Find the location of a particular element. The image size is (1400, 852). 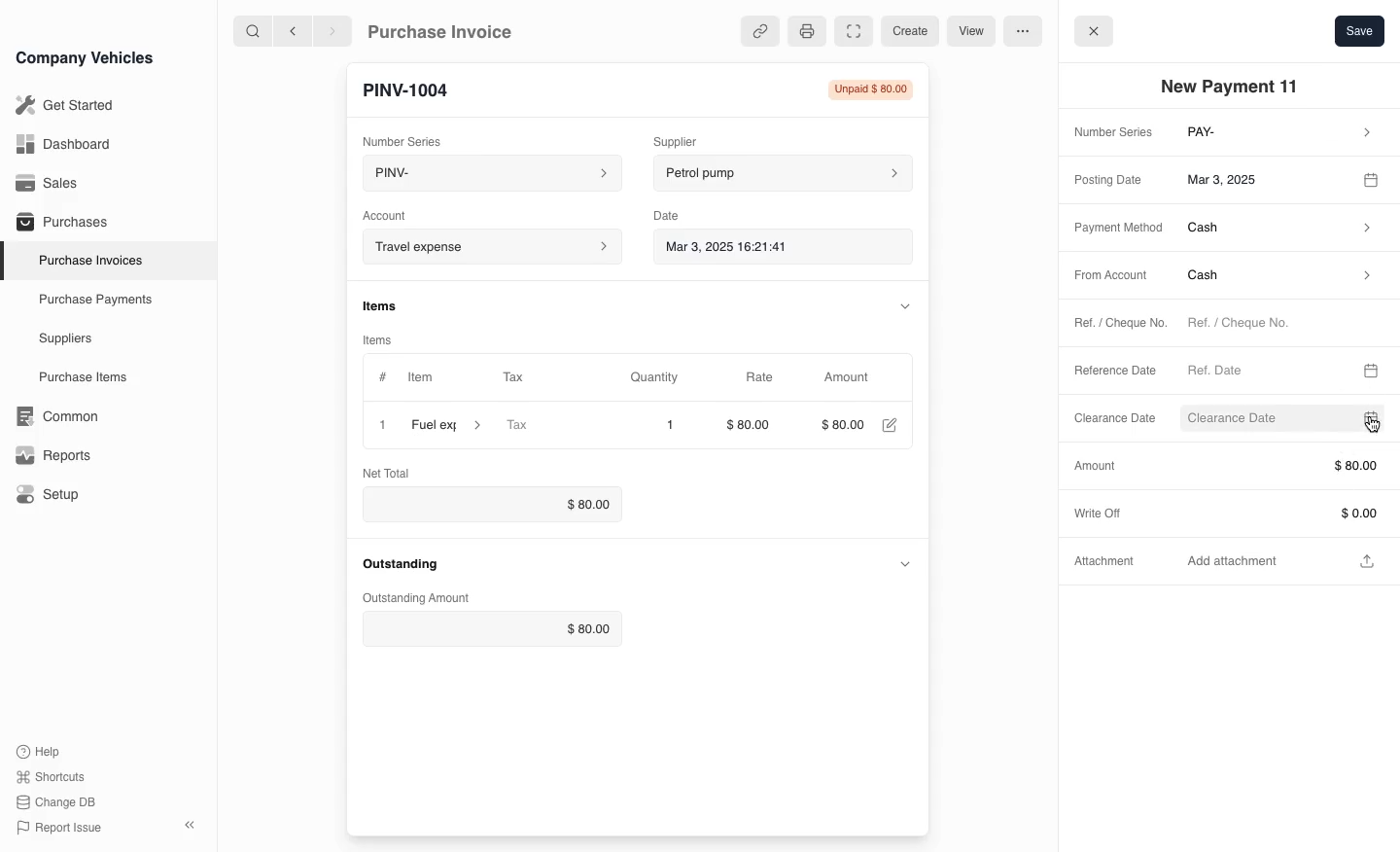

item   is located at coordinates (448, 425).